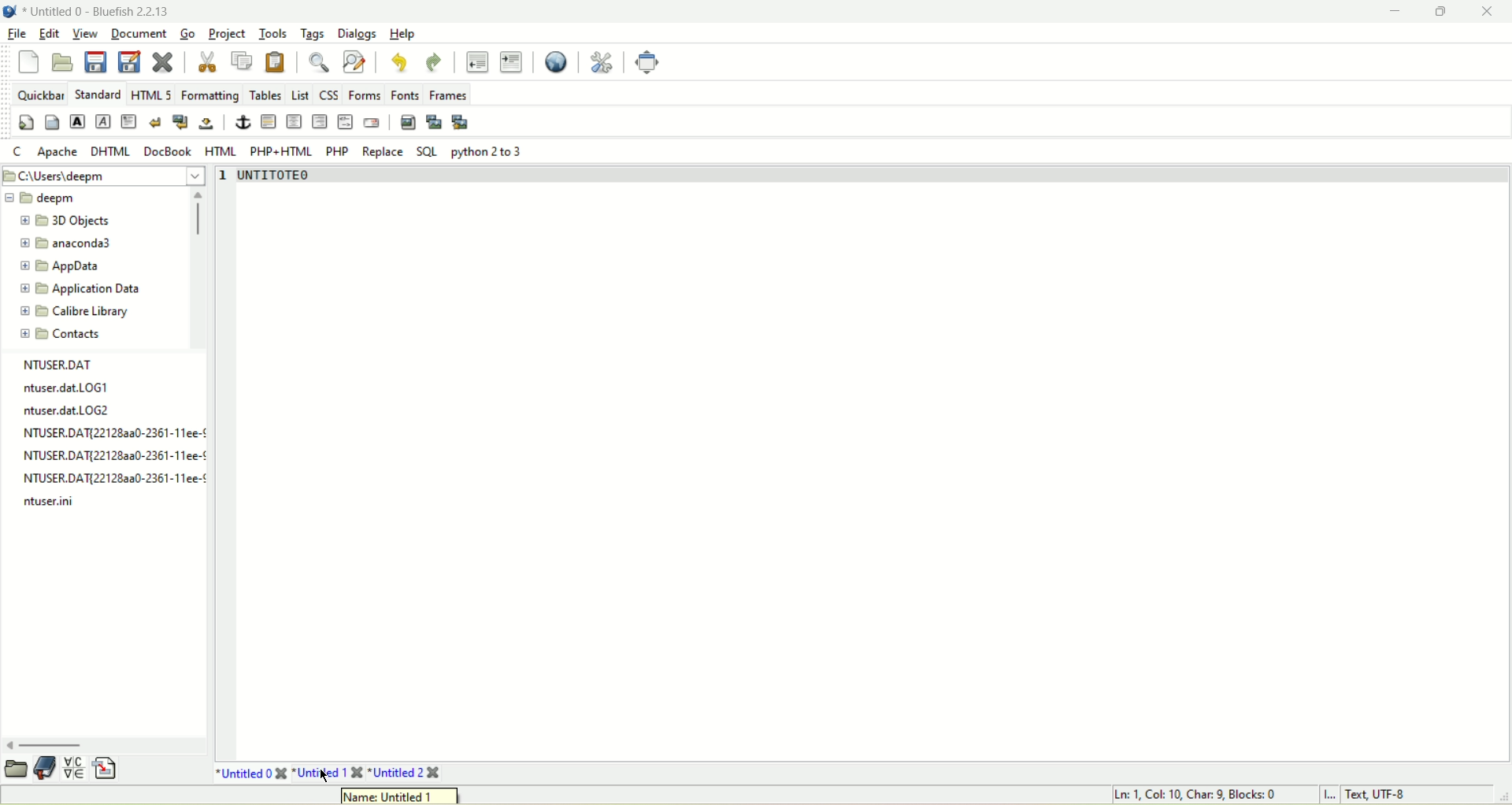 This screenshot has height=805, width=1512. What do you see at coordinates (1362, 793) in the screenshot?
I see `L Text UTF-8` at bounding box center [1362, 793].